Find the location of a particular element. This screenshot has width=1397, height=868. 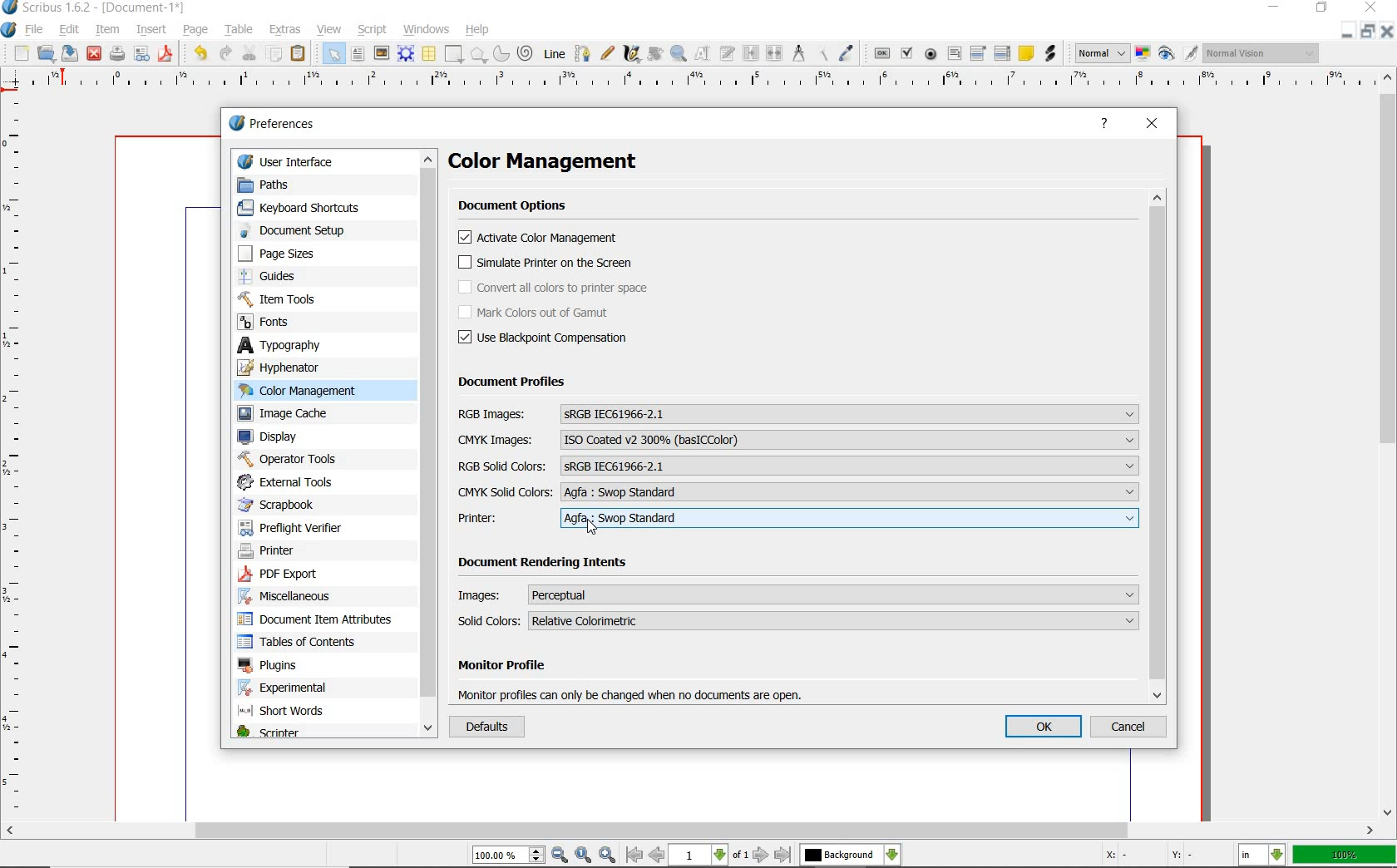

keyboard shortcuts is located at coordinates (307, 209).